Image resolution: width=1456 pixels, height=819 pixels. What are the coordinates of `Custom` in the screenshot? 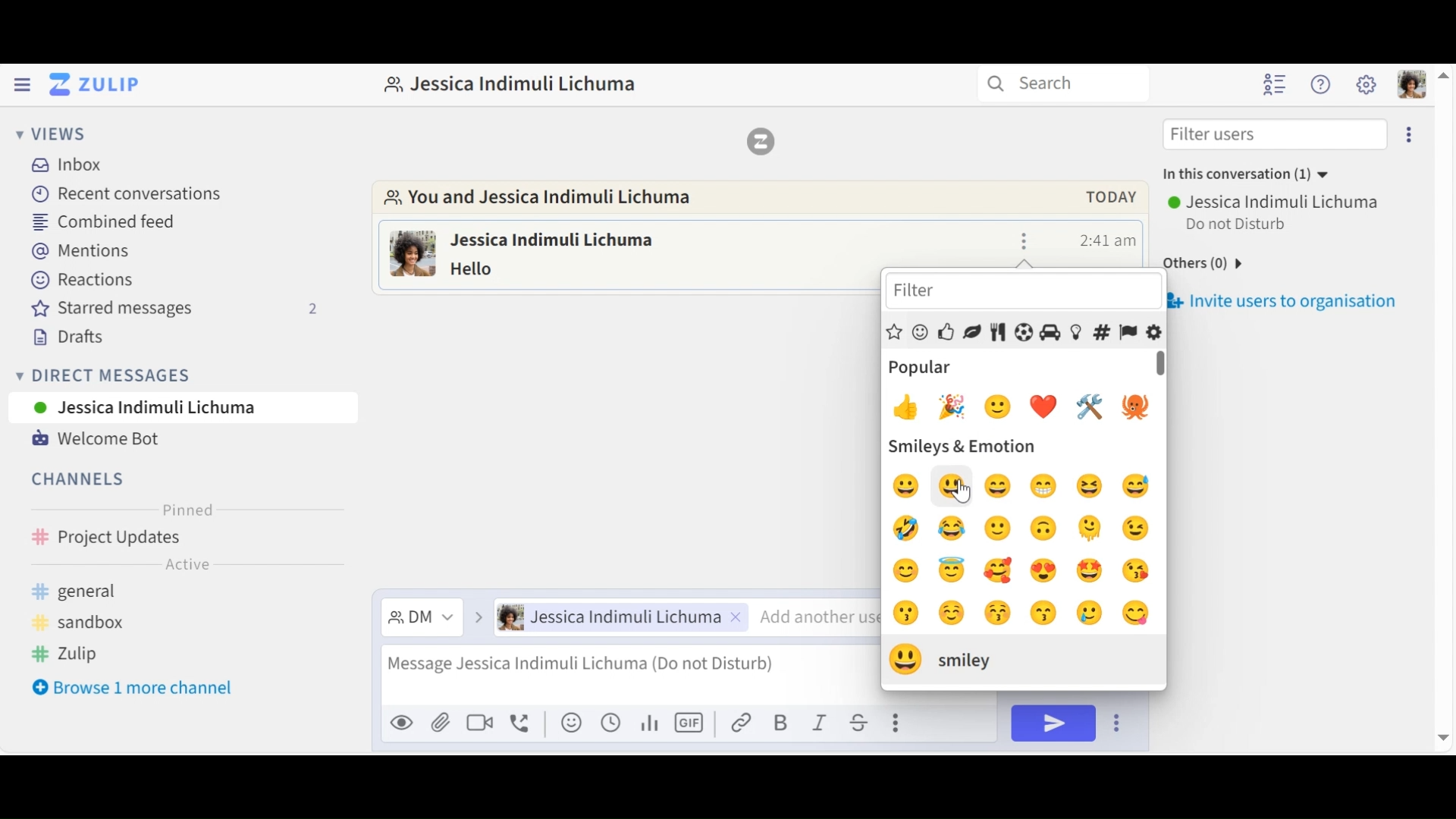 It's located at (1154, 333).